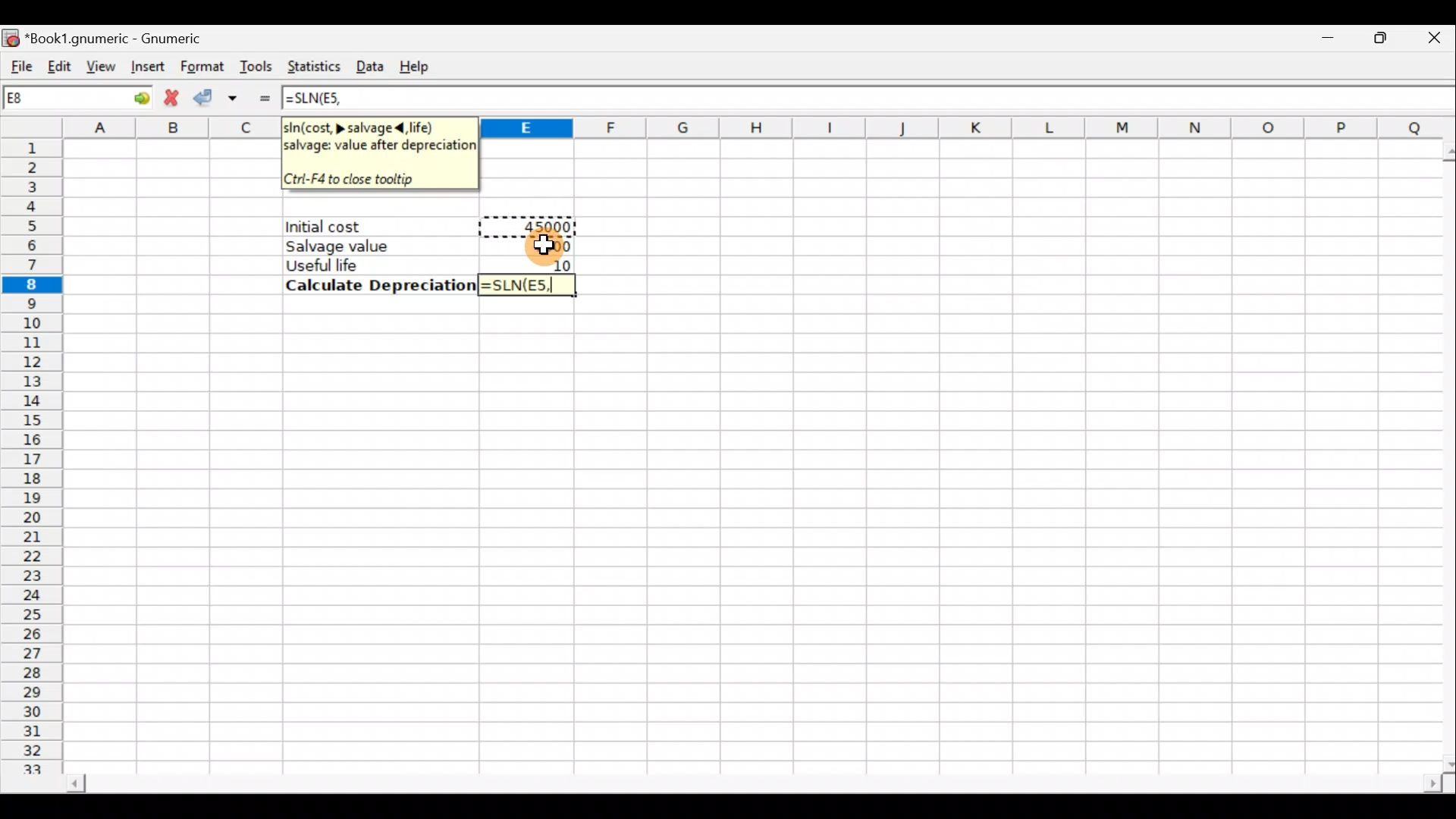  Describe the element at coordinates (527, 286) in the screenshot. I see `=SLN(E5,` at that location.